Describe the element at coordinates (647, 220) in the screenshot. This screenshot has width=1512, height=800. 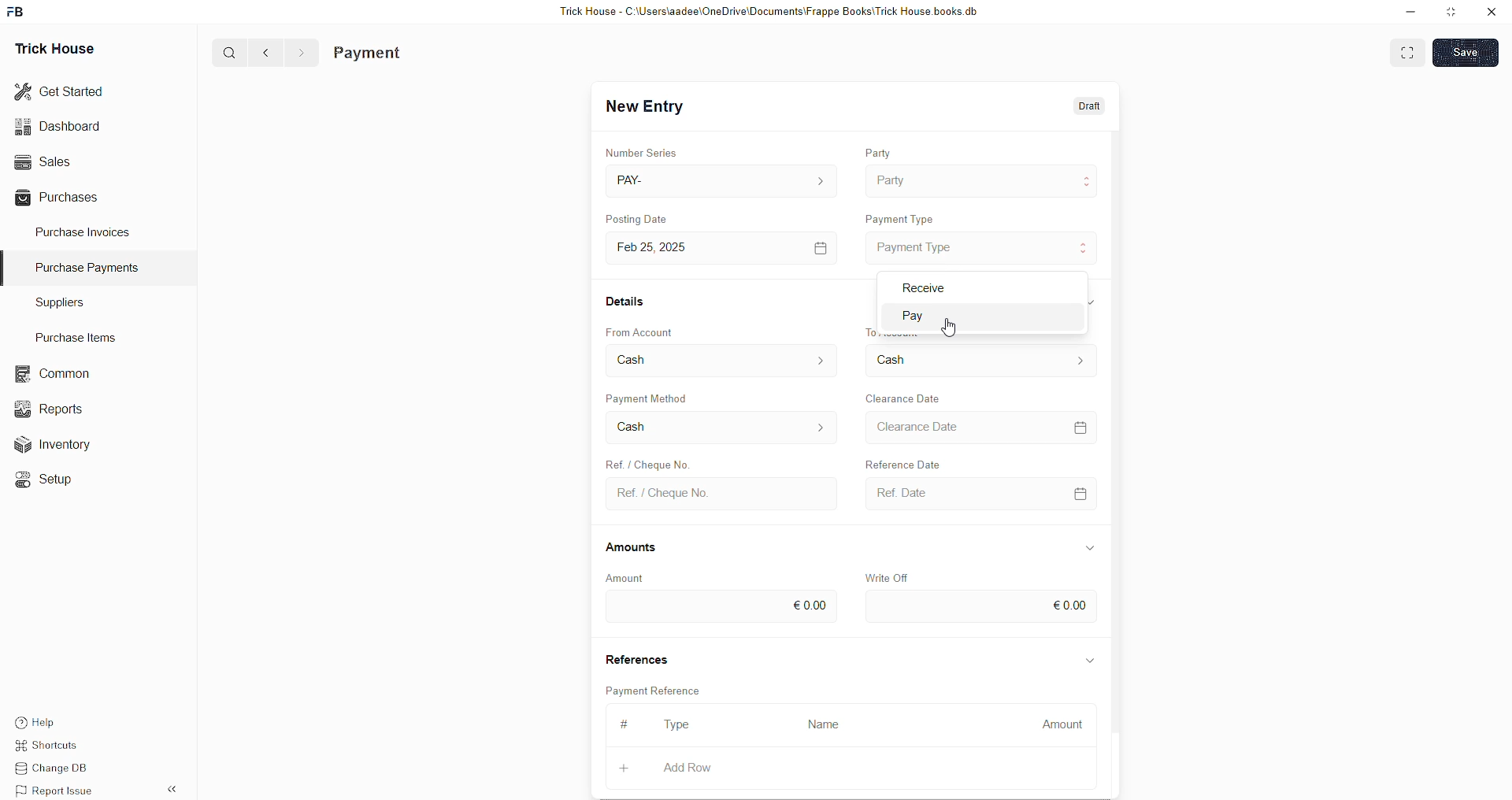
I see `Posting Date` at that location.